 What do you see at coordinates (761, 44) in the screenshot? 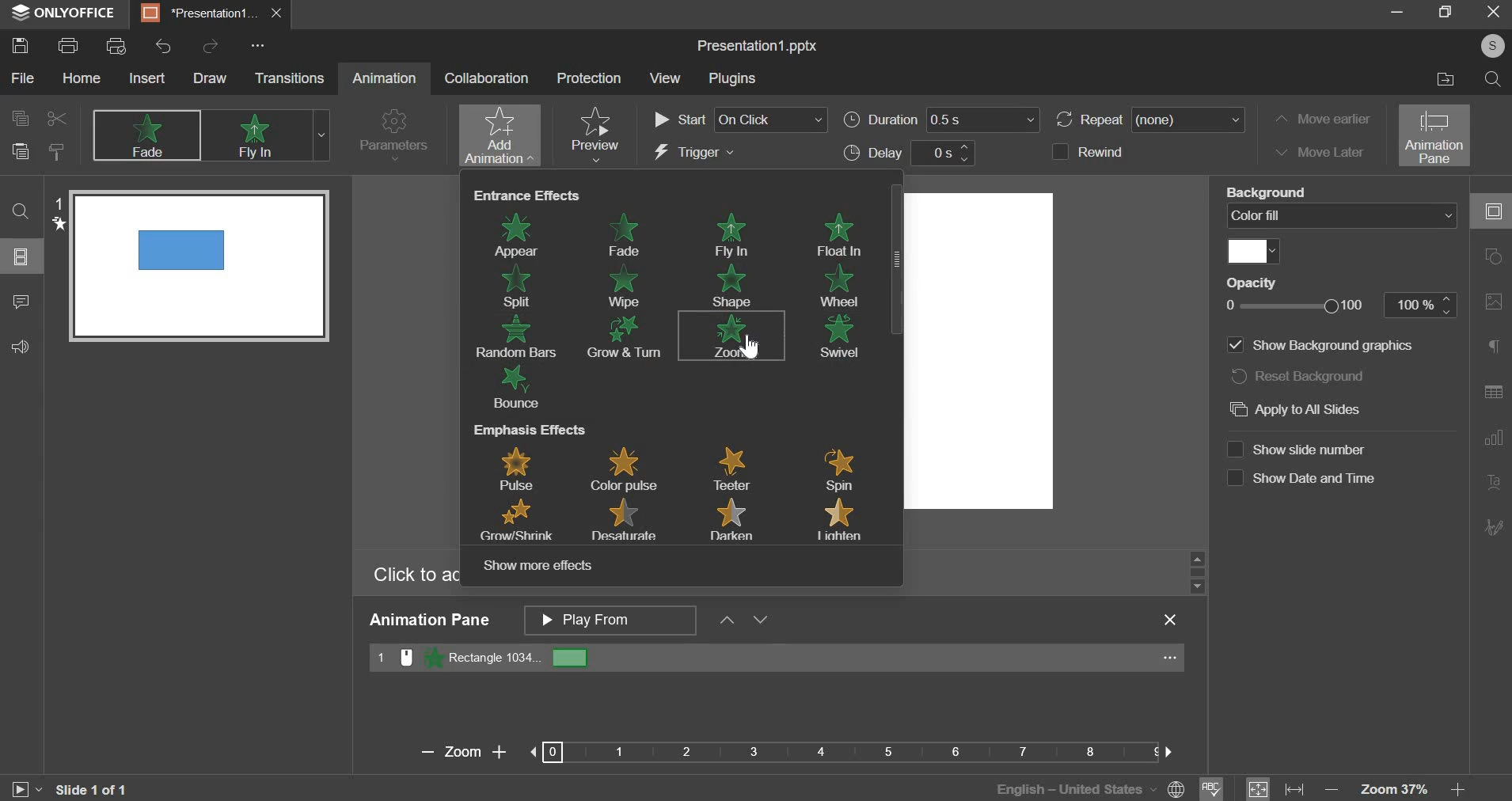
I see `Presentation1.pptx` at bounding box center [761, 44].